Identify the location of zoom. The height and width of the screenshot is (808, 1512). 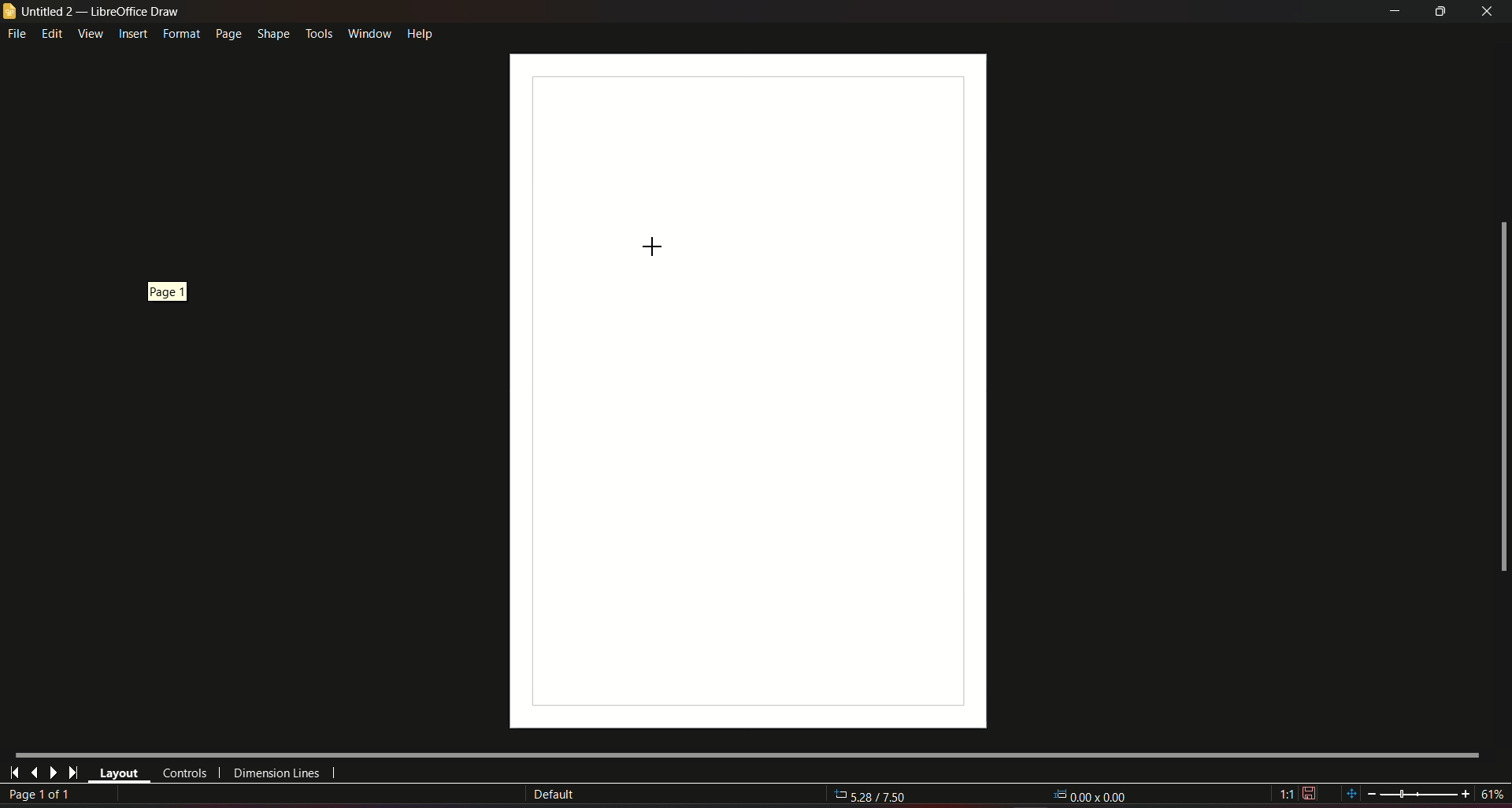
(1423, 791).